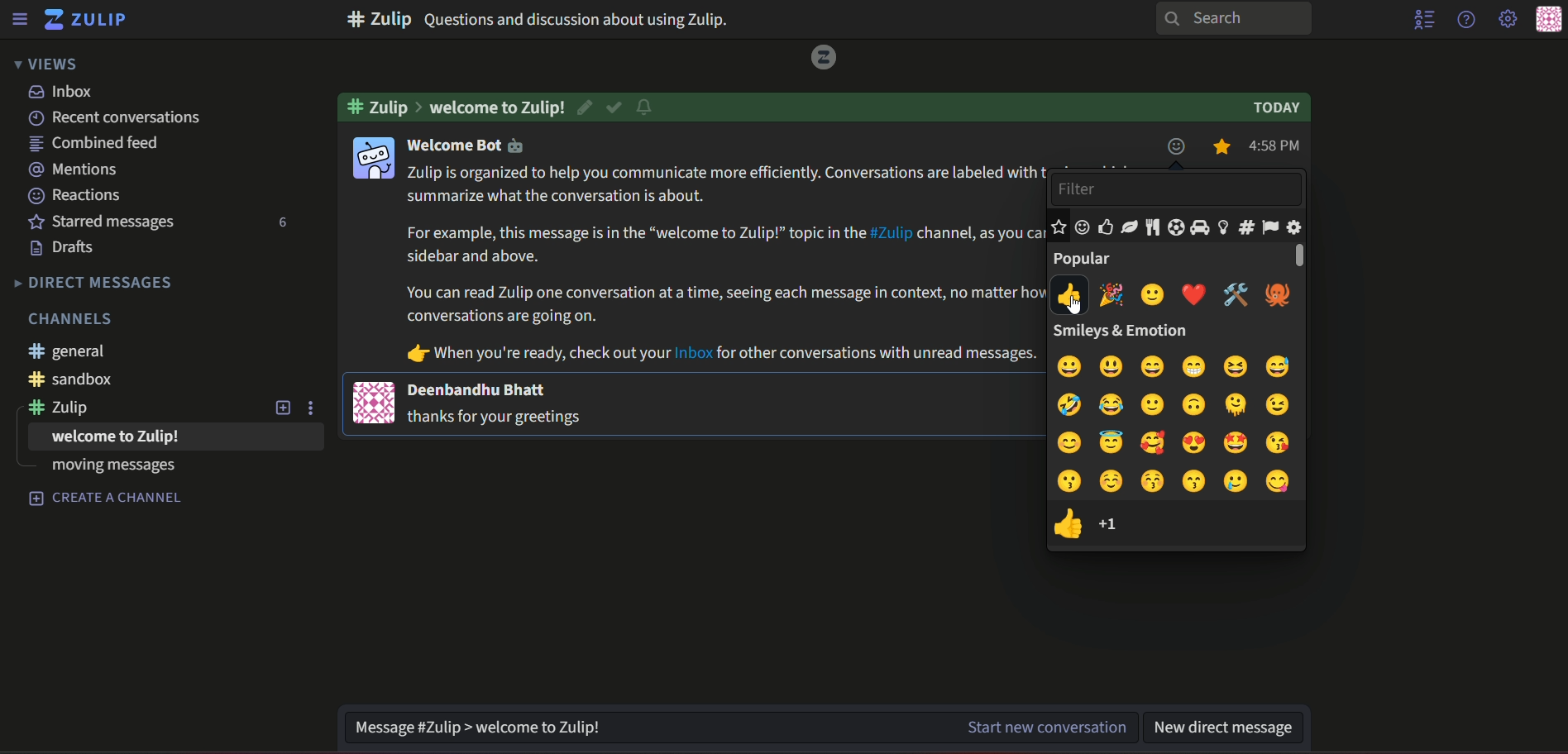 The image size is (1568, 754). I want to click on views, so click(50, 64).